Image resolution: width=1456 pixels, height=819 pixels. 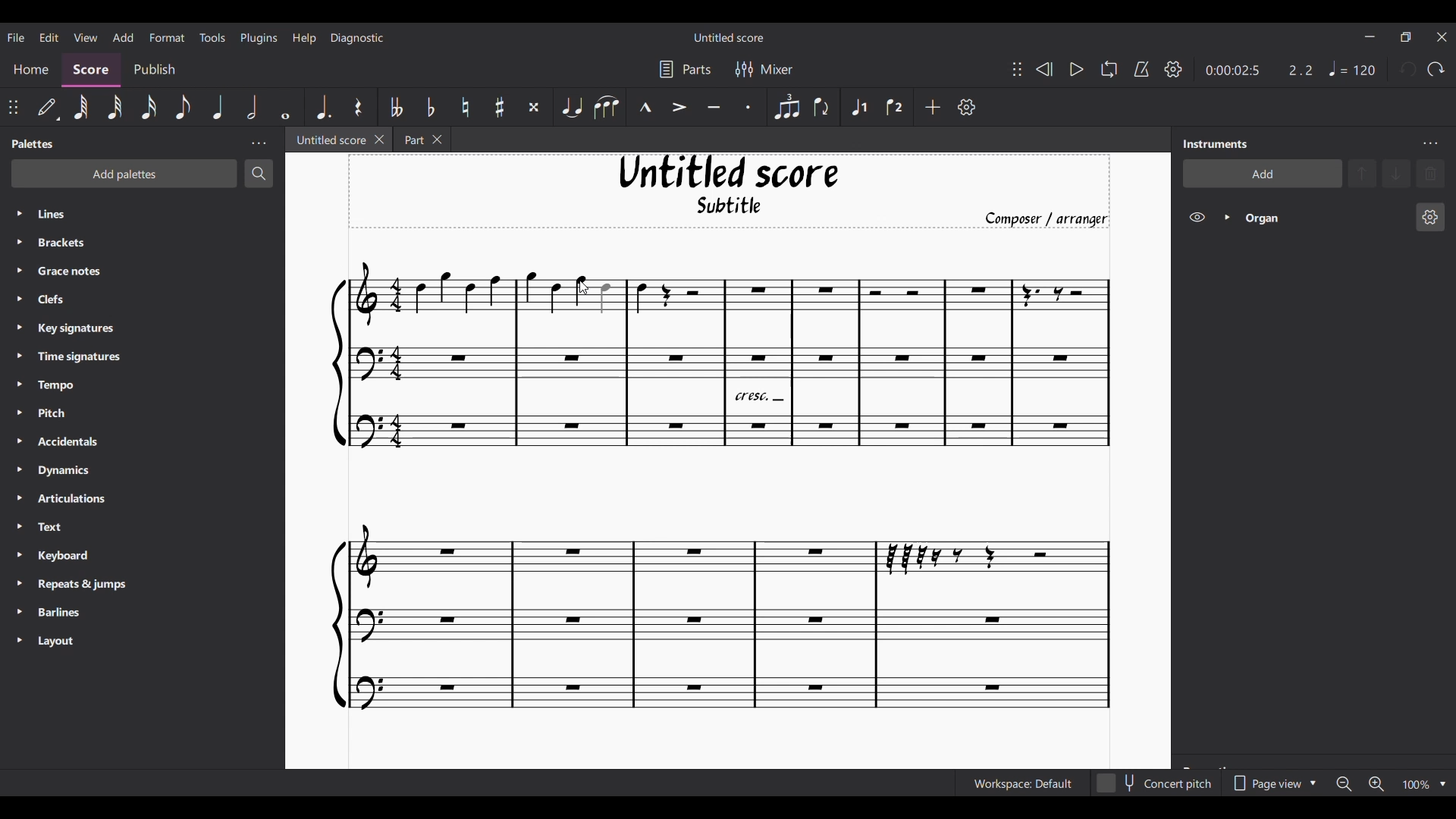 What do you see at coordinates (729, 37) in the screenshot?
I see `Score title` at bounding box center [729, 37].